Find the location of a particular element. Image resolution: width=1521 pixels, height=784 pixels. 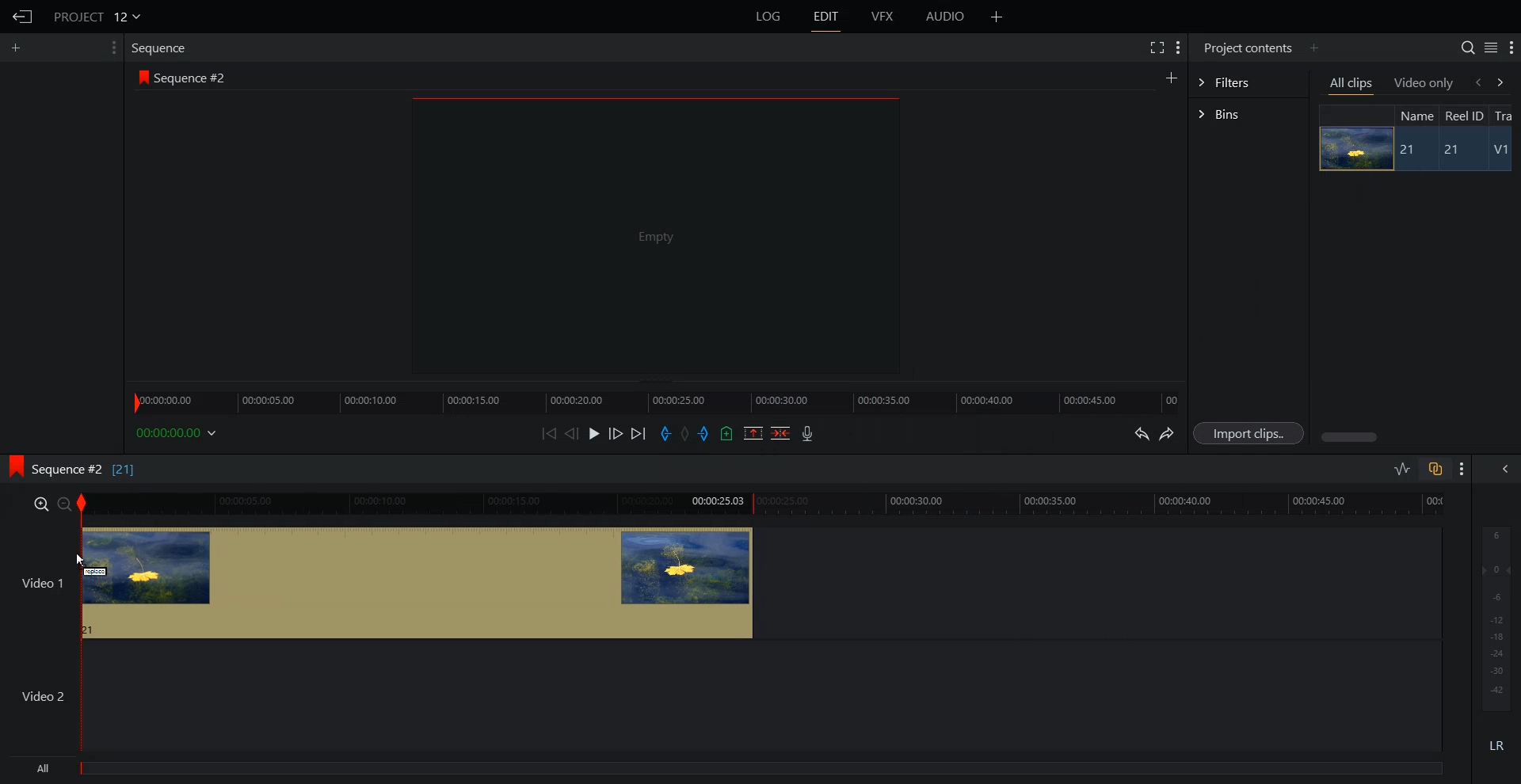

LR is located at coordinates (1497, 743).